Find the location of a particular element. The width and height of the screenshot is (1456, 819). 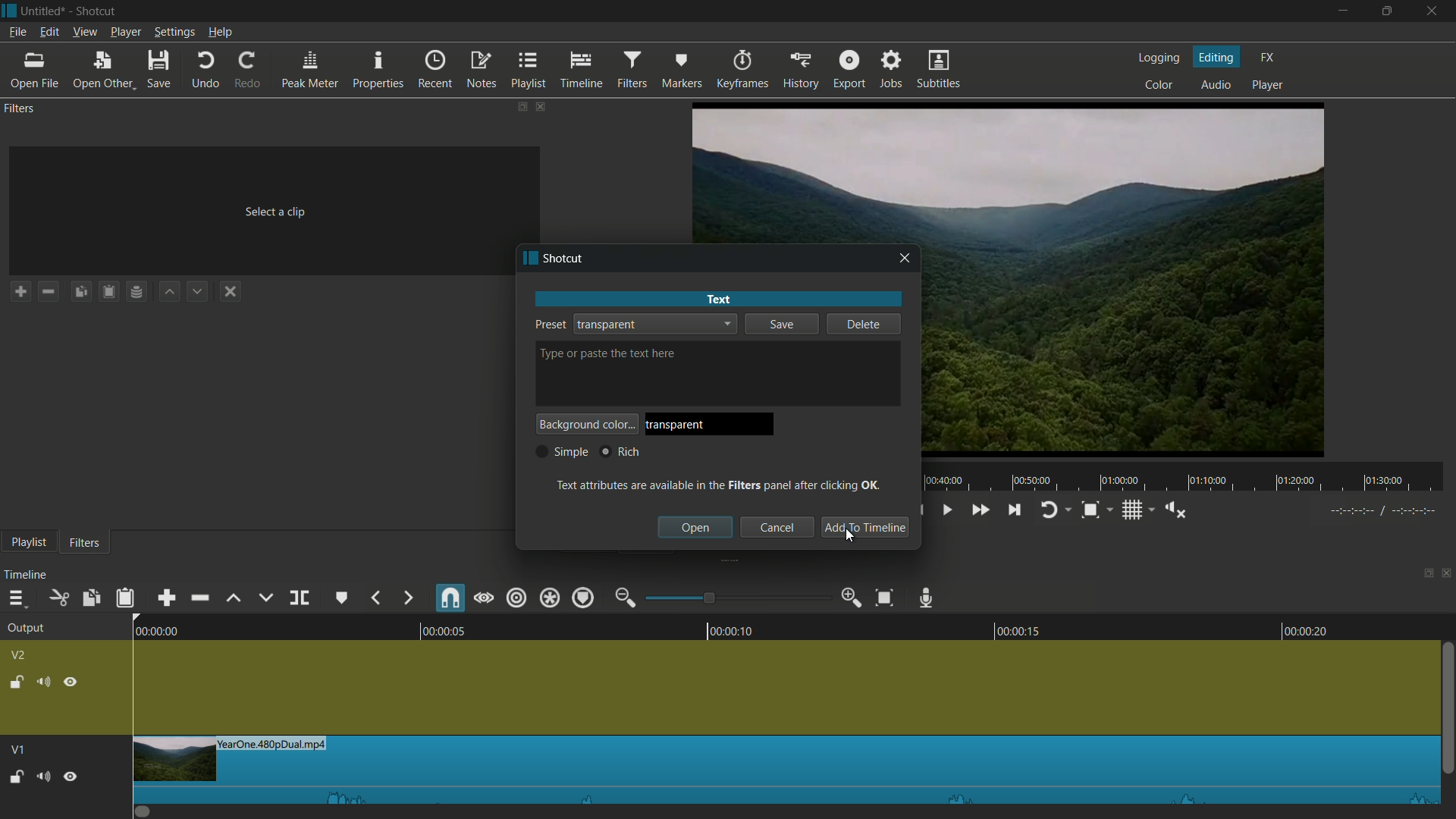

save is located at coordinates (158, 71).